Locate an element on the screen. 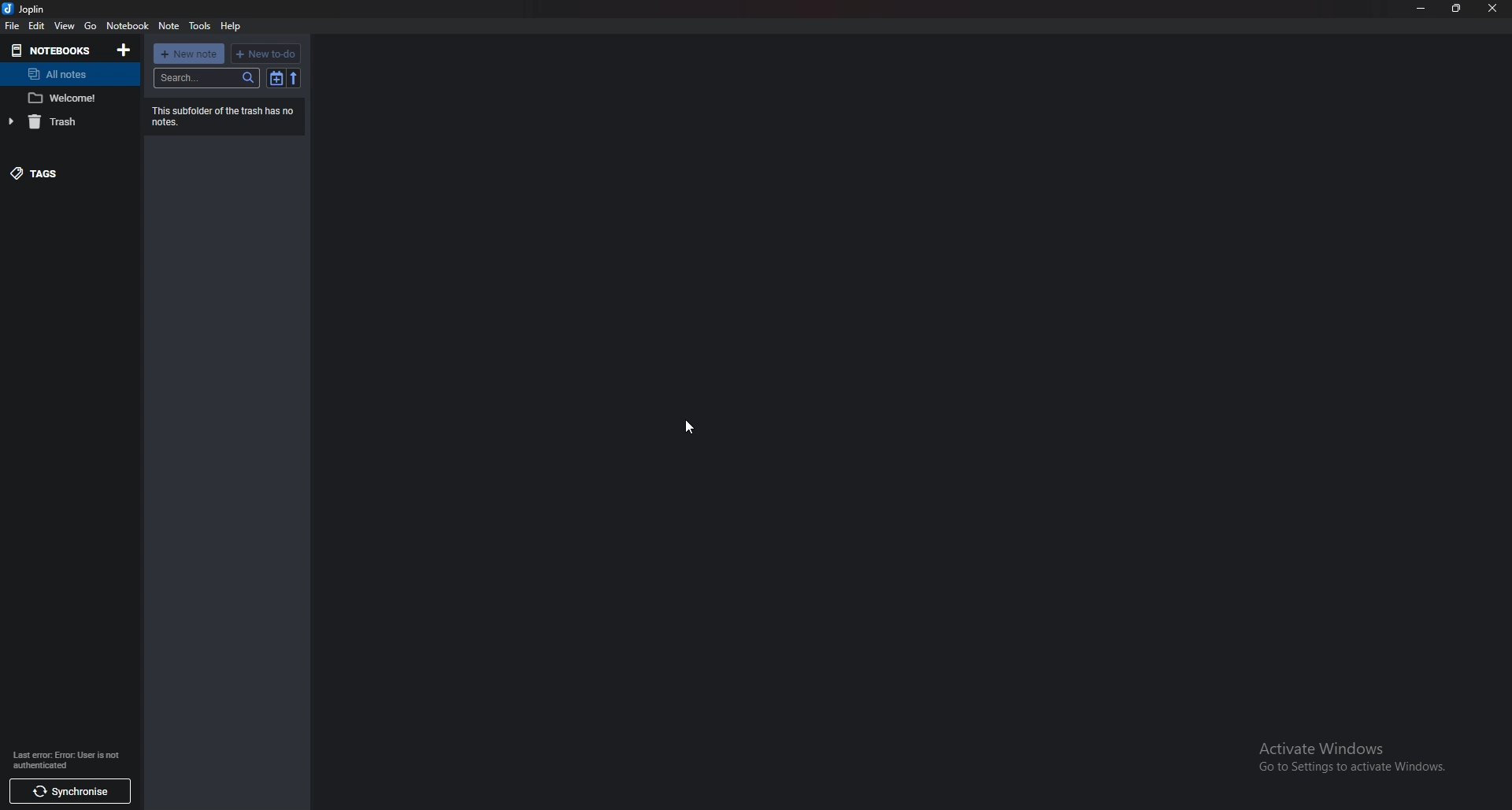 The width and height of the screenshot is (1512, 810). Note is located at coordinates (65, 98).